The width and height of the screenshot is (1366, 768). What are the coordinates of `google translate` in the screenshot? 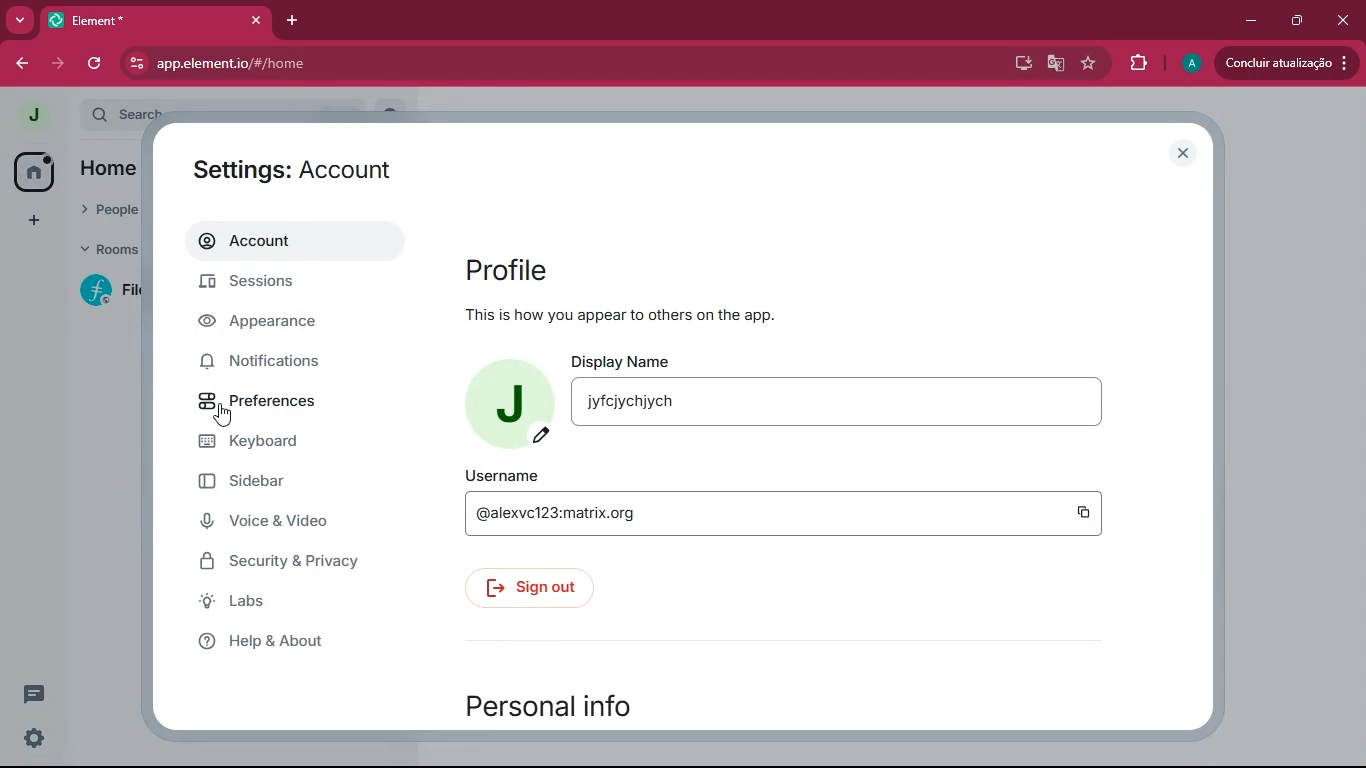 It's located at (1056, 64).